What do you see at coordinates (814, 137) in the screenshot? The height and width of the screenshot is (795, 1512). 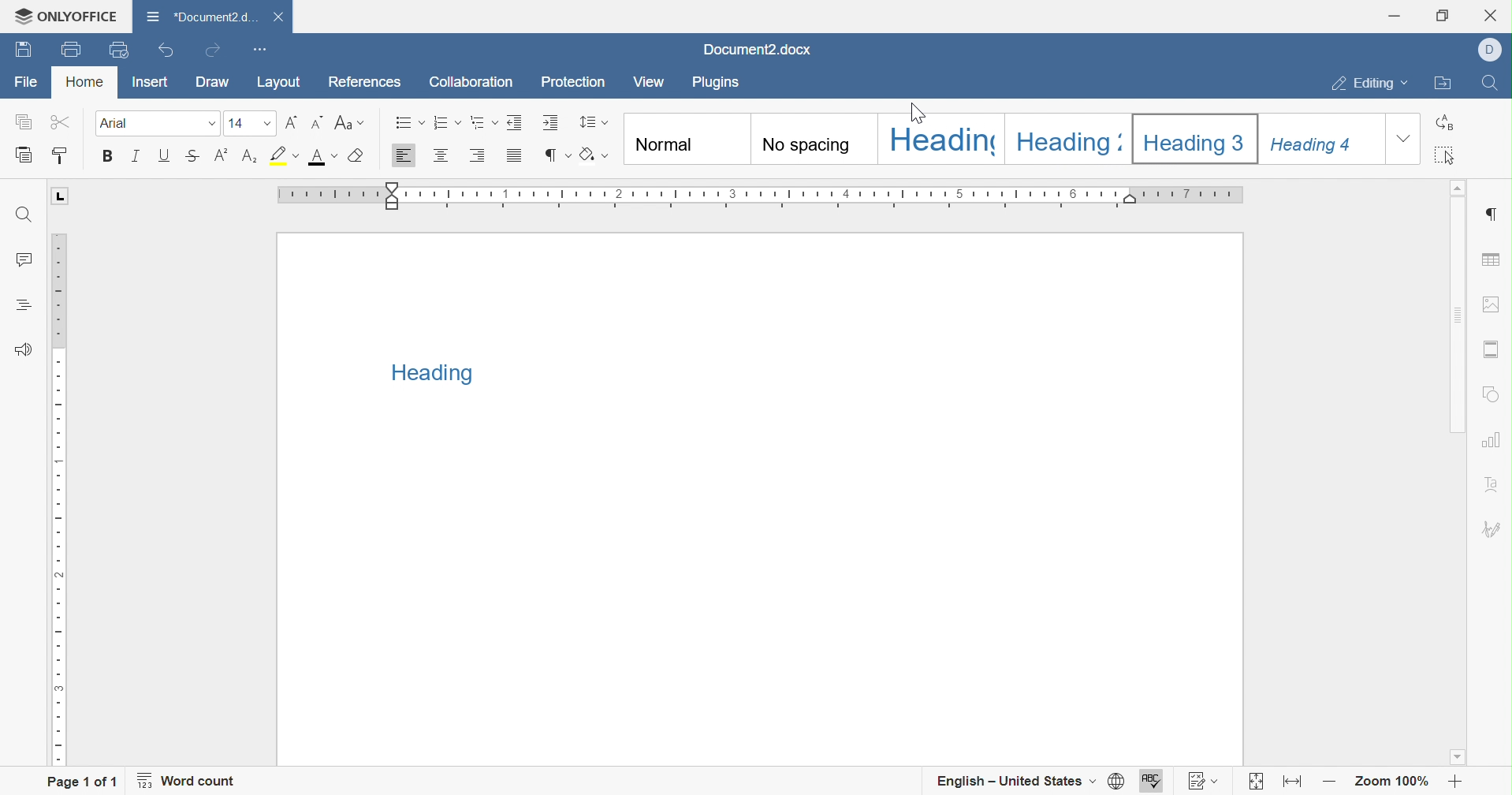 I see `No spacing` at bounding box center [814, 137].